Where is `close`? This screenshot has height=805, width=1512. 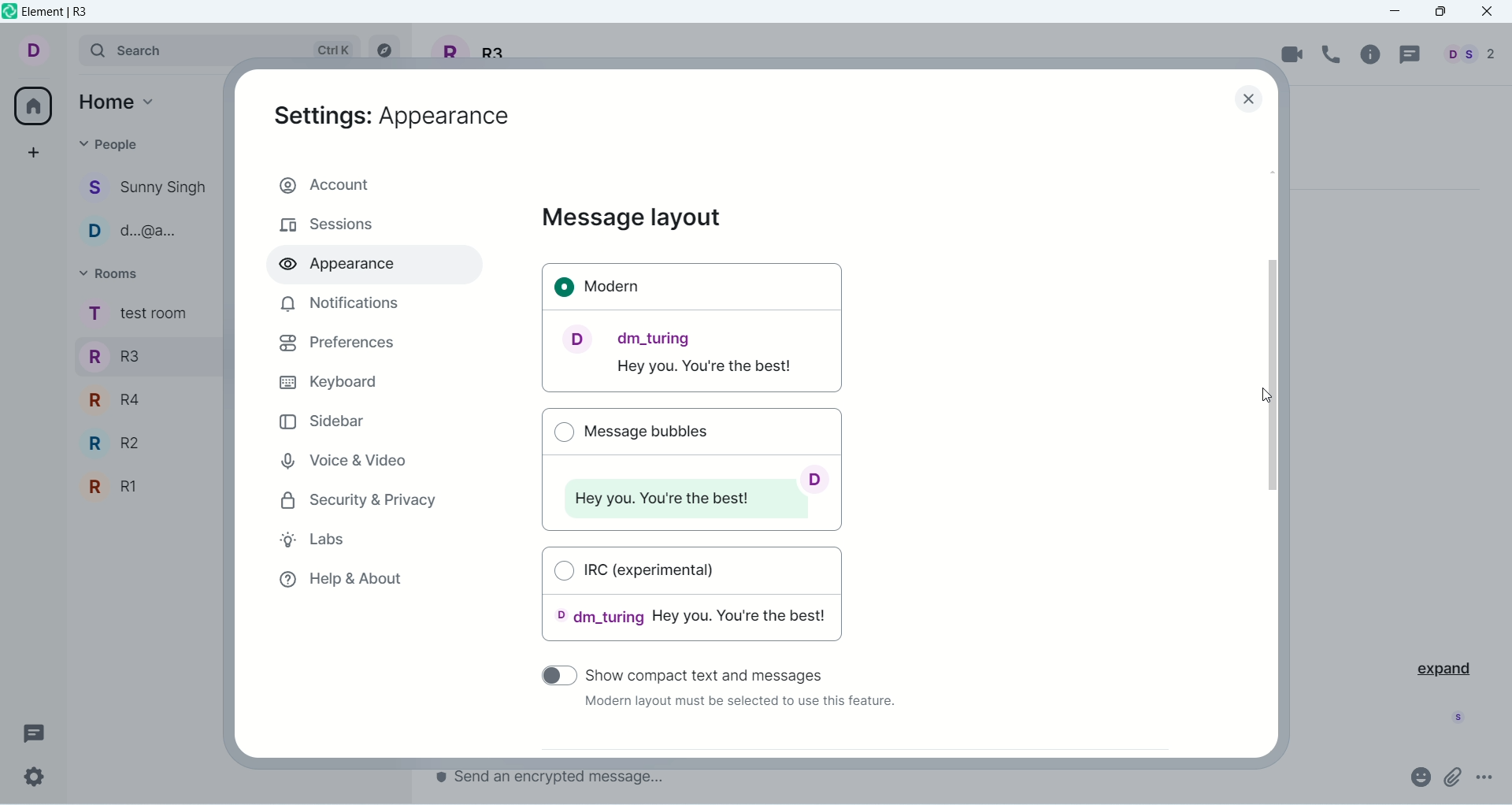
close is located at coordinates (1489, 13).